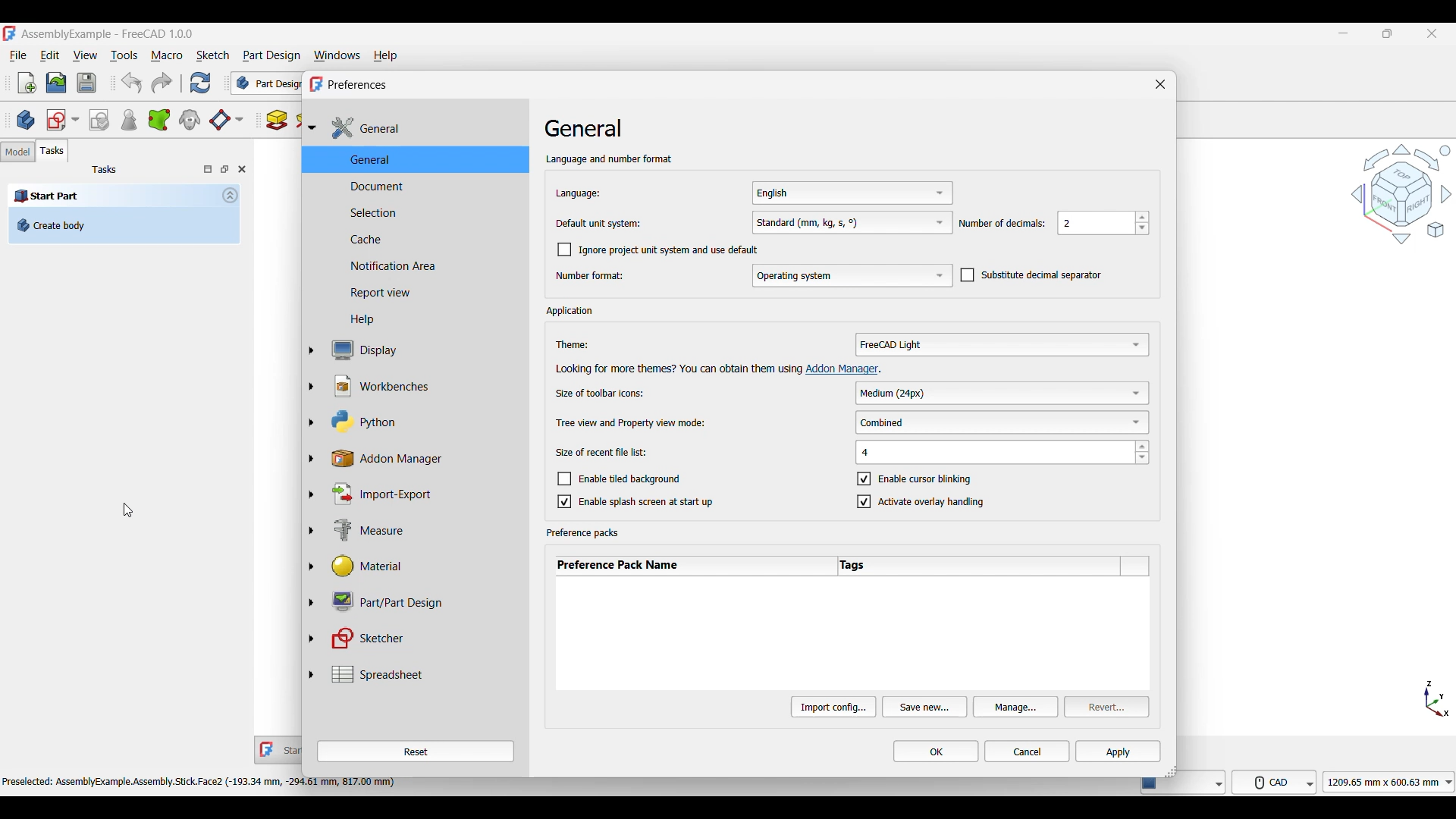 This screenshot has height=819, width=1456. Describe the element at coordinates (577, 346) in the screenshot. I see `Theme:` at that location.